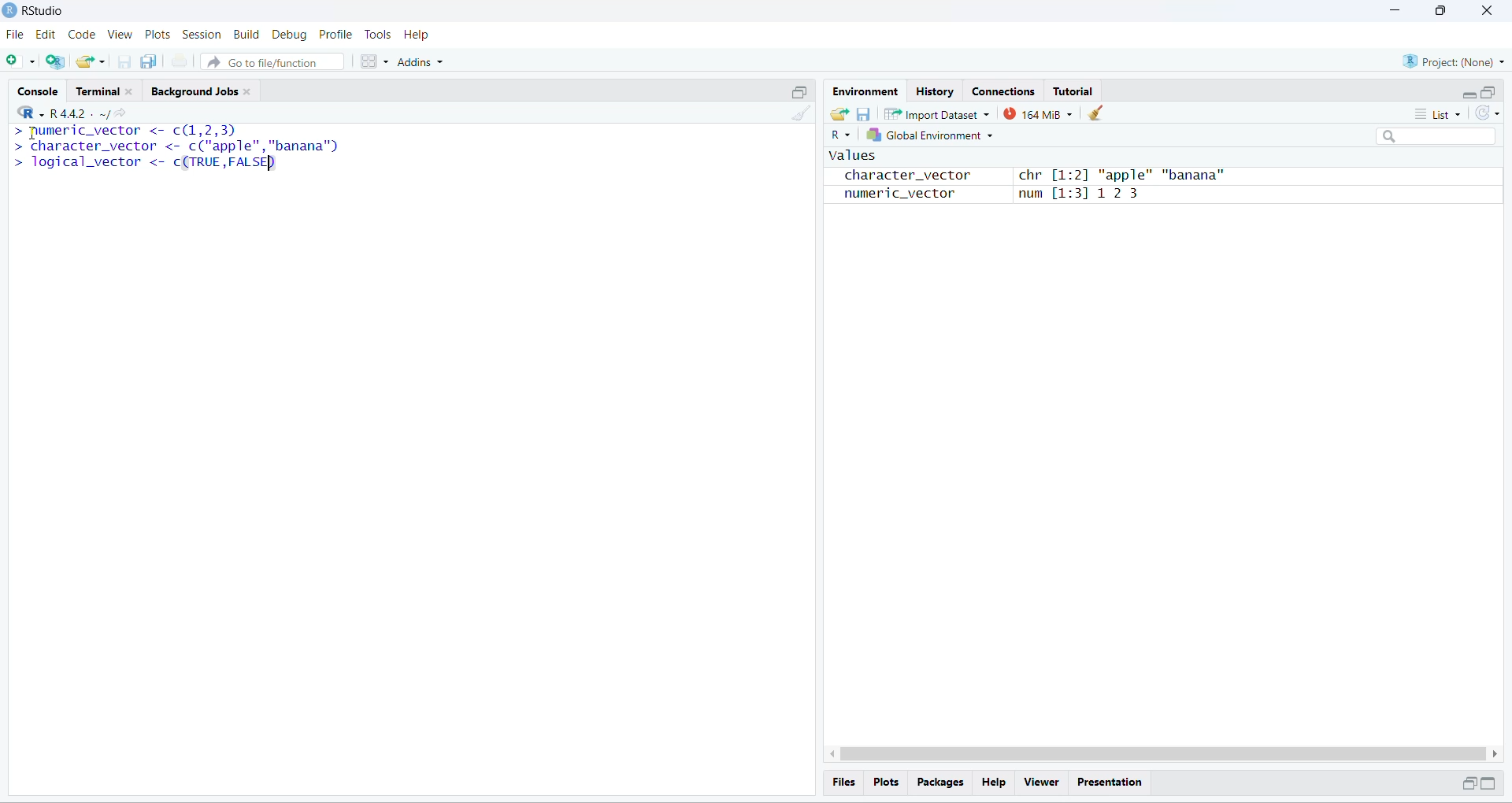 The image size is (1512, 803). What do you see at coordinates (202, 35) in the screenshot?
I see `Session` at bounding box center [202, 35].